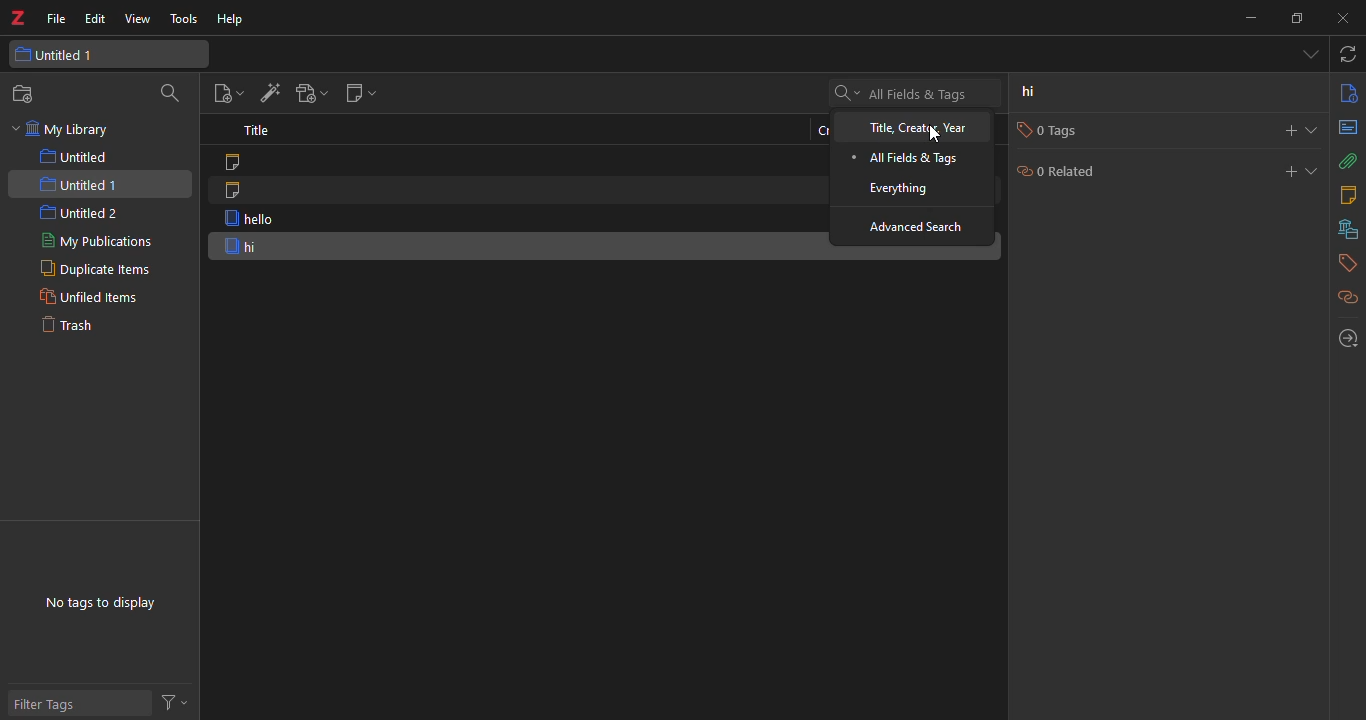  Describe the element at coordinates (1291, 128) in the screenshot. I see `add` at that location.